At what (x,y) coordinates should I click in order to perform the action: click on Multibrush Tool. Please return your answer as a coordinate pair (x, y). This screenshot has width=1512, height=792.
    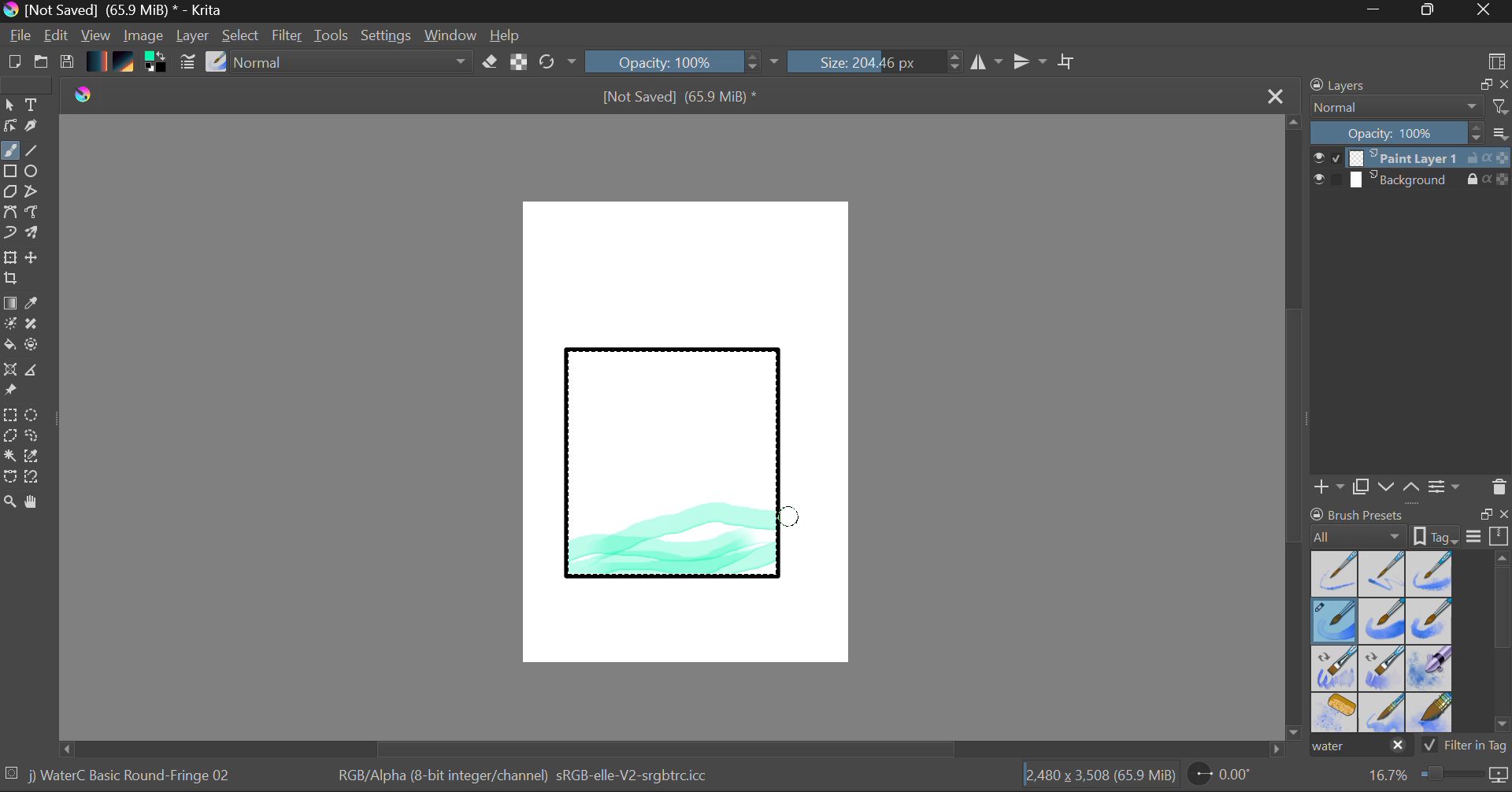
    Looking at the image, I should click on (33, 235).